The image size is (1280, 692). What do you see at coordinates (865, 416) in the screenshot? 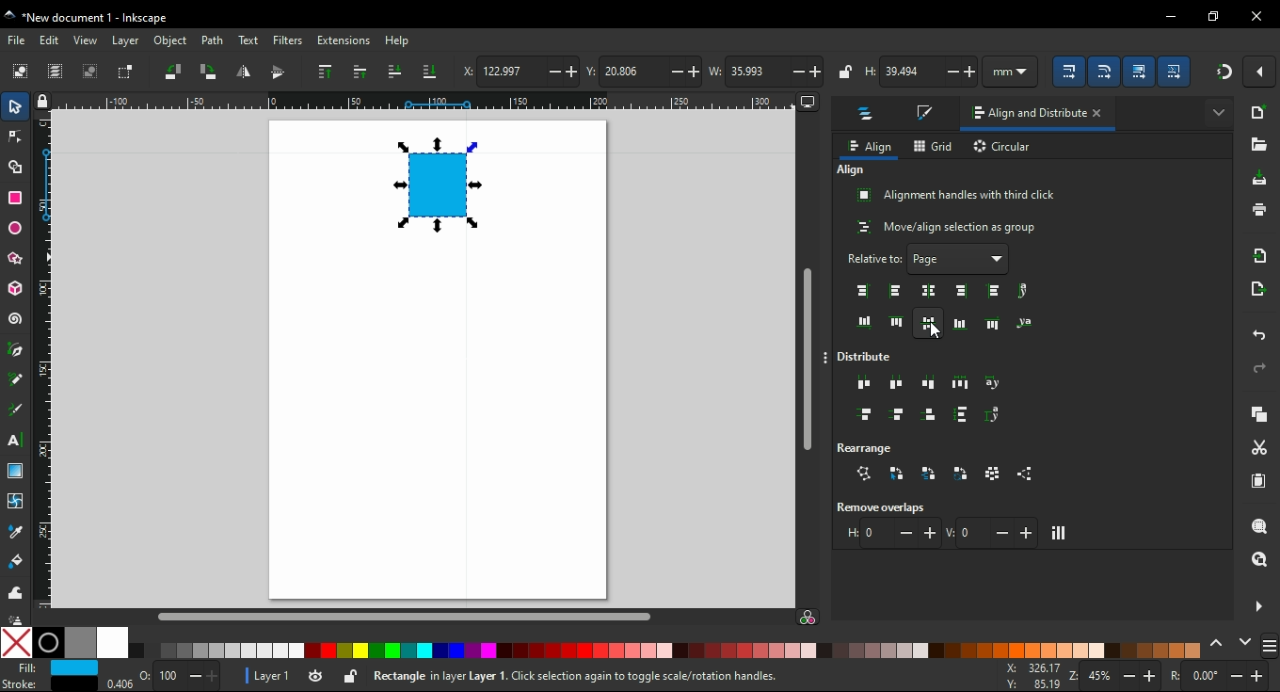
I see `distribute vertically with even spacing between top edges` at bounding box center [865, 416].